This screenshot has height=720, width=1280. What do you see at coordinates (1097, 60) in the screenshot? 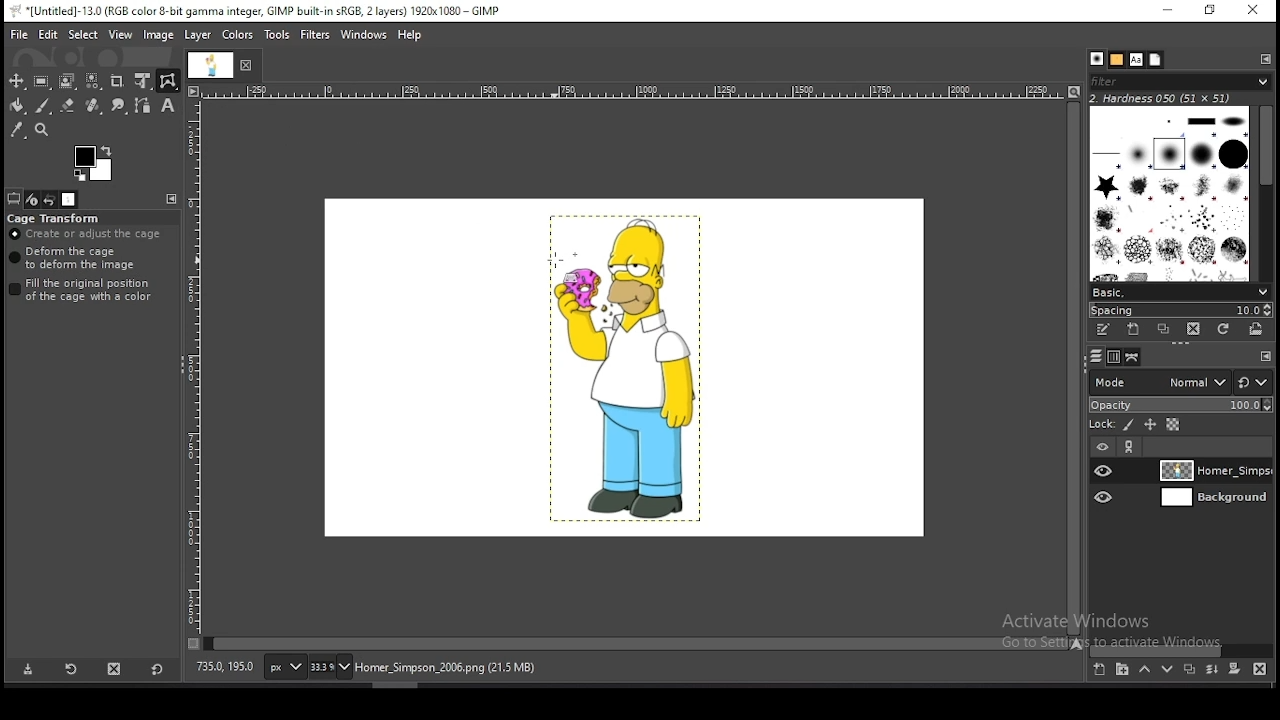
I see `brushes` at bounding box center [1097, 60].